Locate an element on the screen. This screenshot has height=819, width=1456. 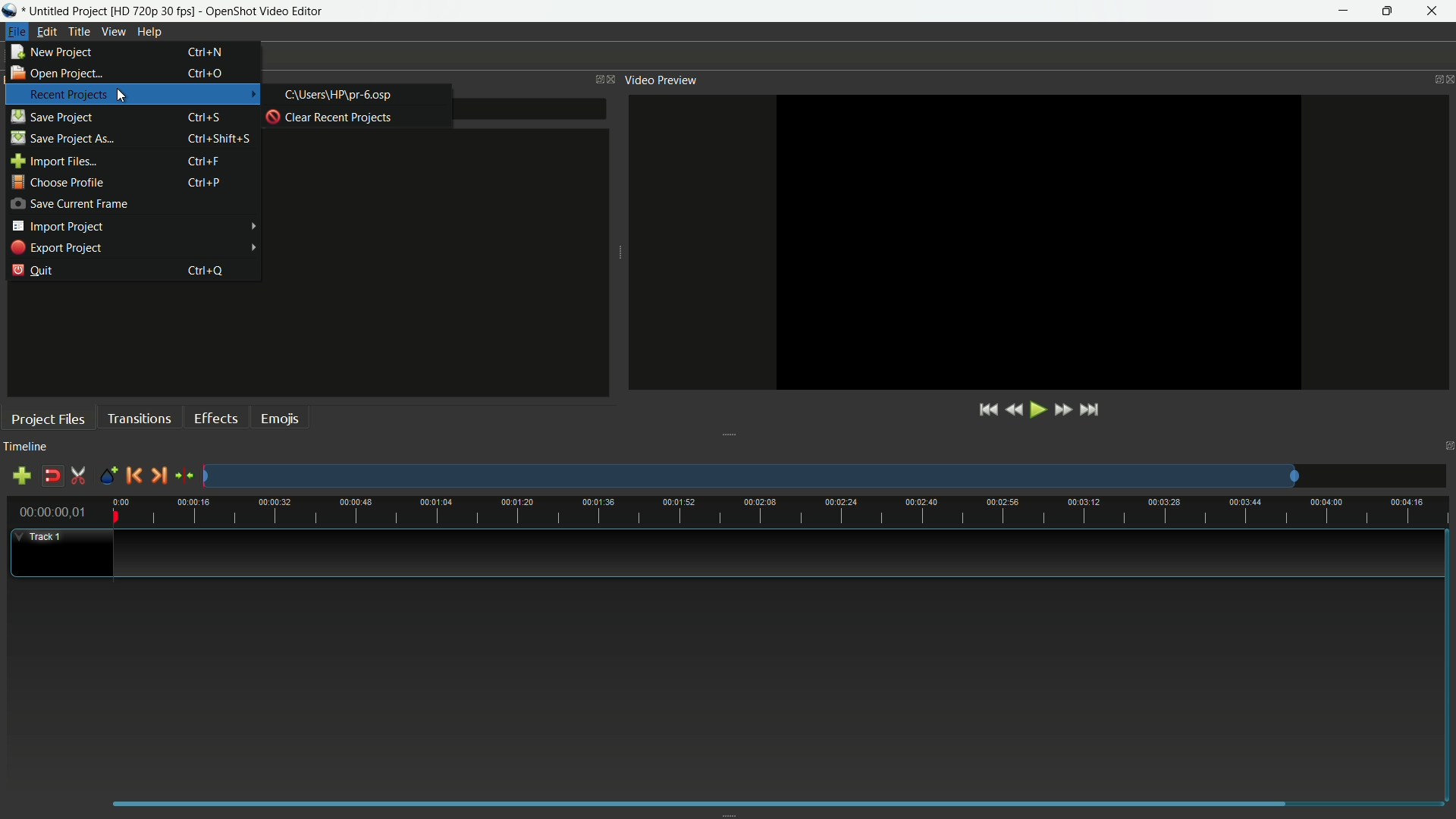
transitions is located at coordinates (141, 417).